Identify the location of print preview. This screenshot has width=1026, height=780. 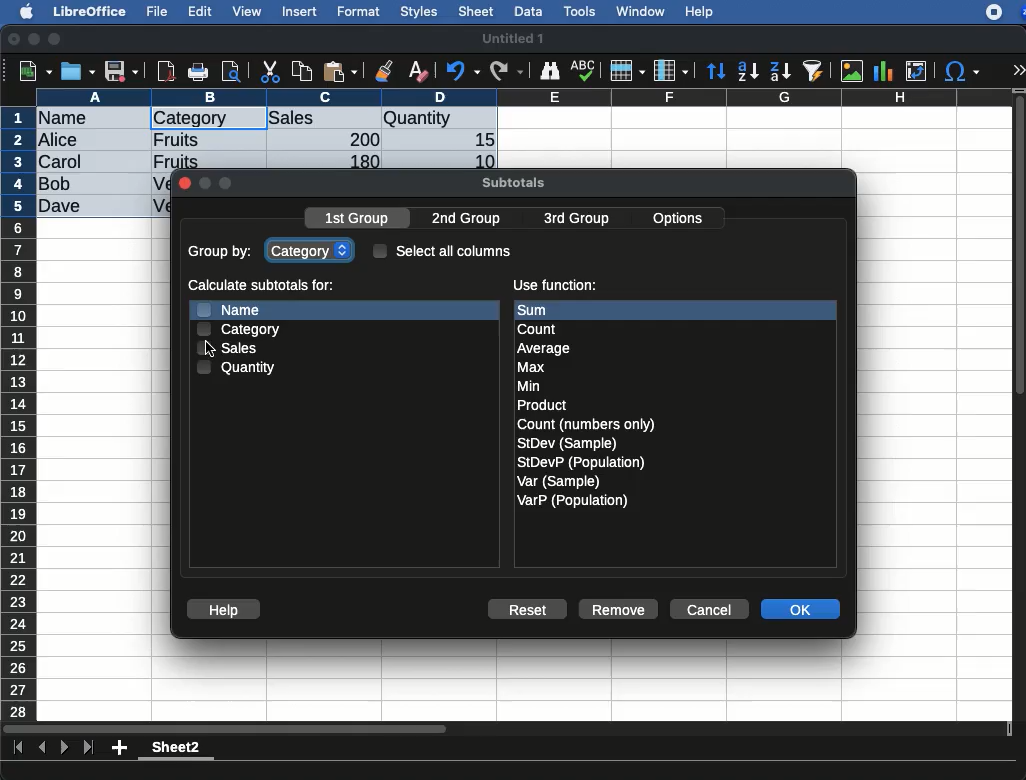
(231, 73).